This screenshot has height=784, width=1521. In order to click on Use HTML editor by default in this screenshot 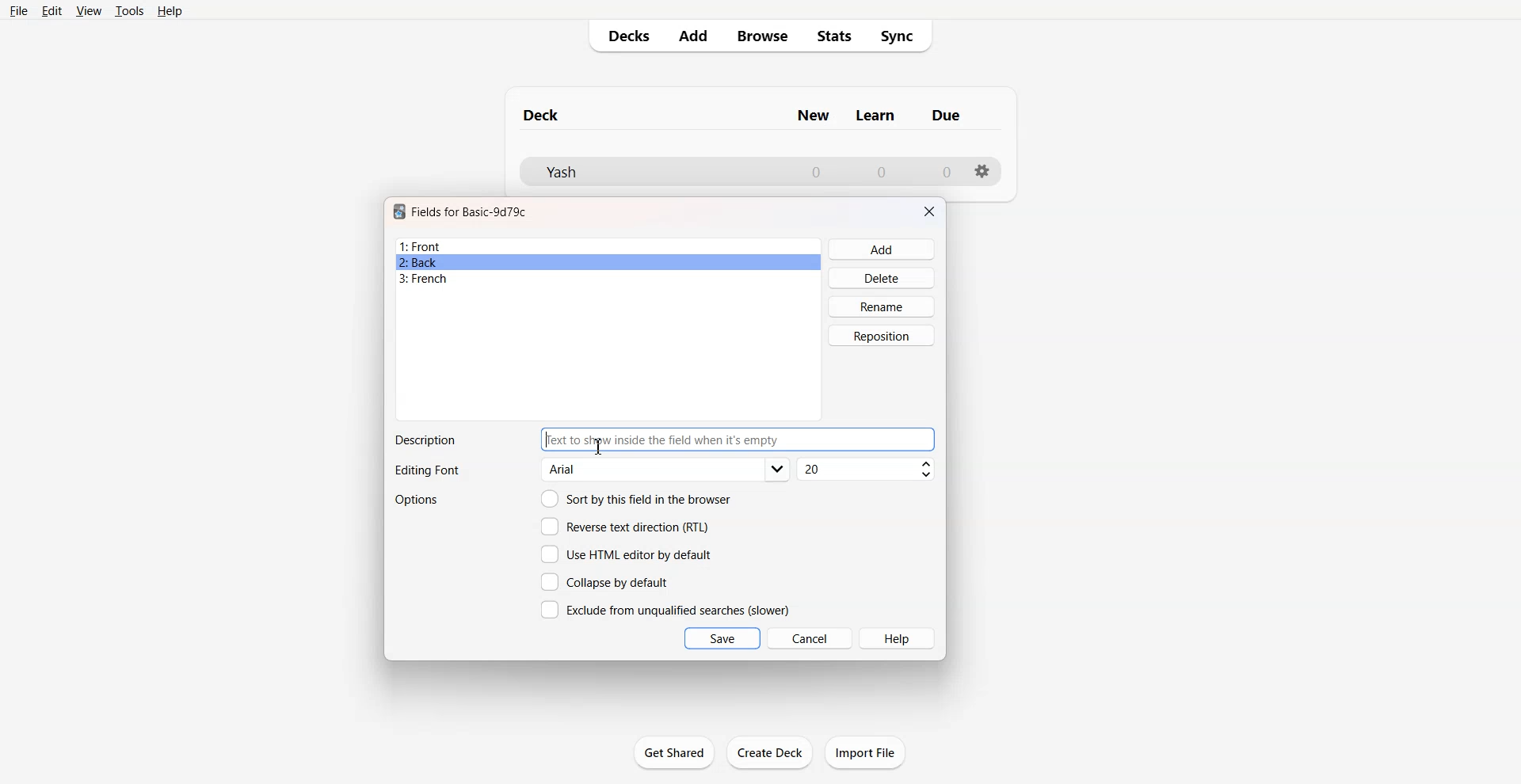, I will do `click(626, 554)`.